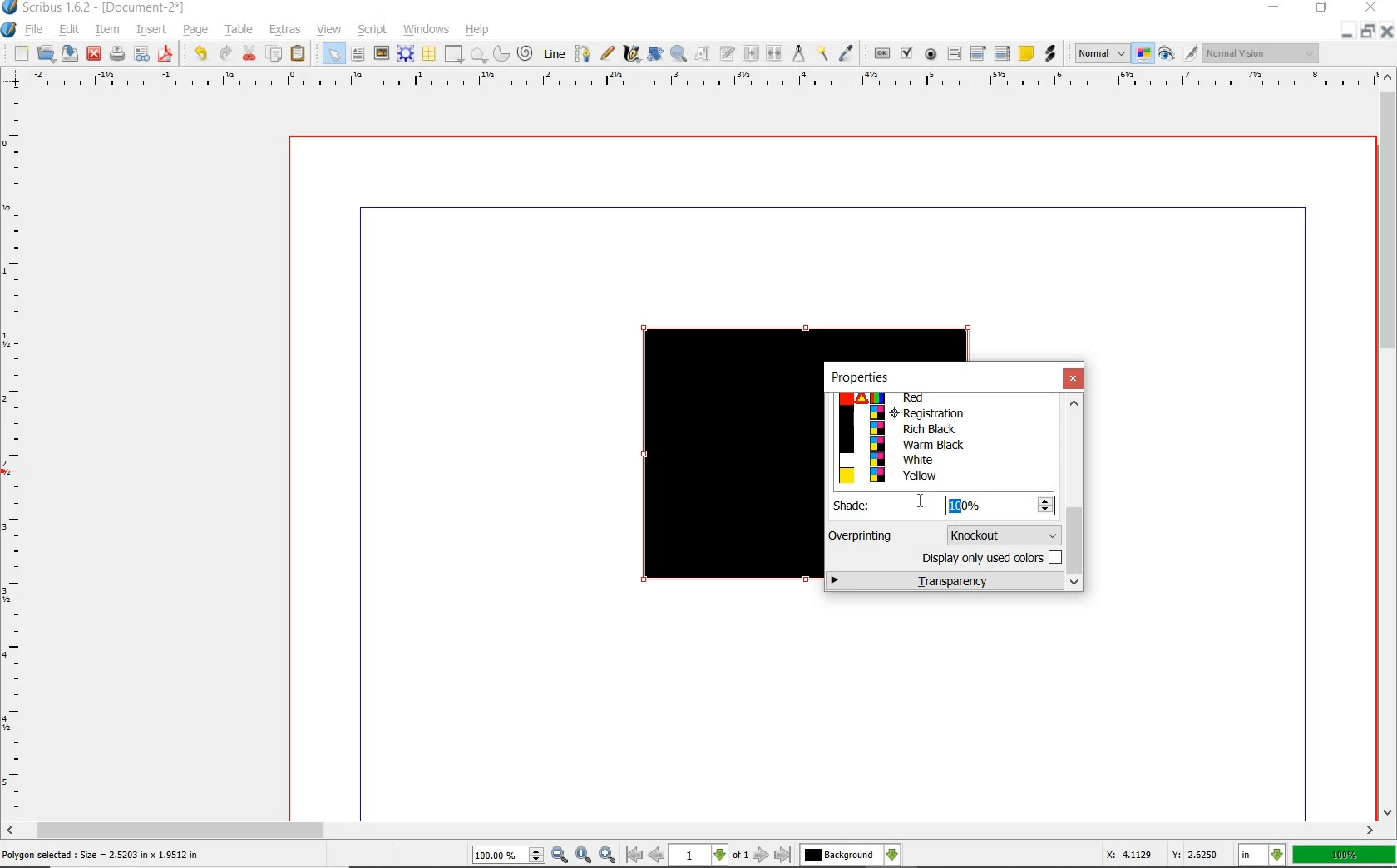  Describe the element at coordinates (761, 856) in the screenshot. I see `go to next page` at that location.